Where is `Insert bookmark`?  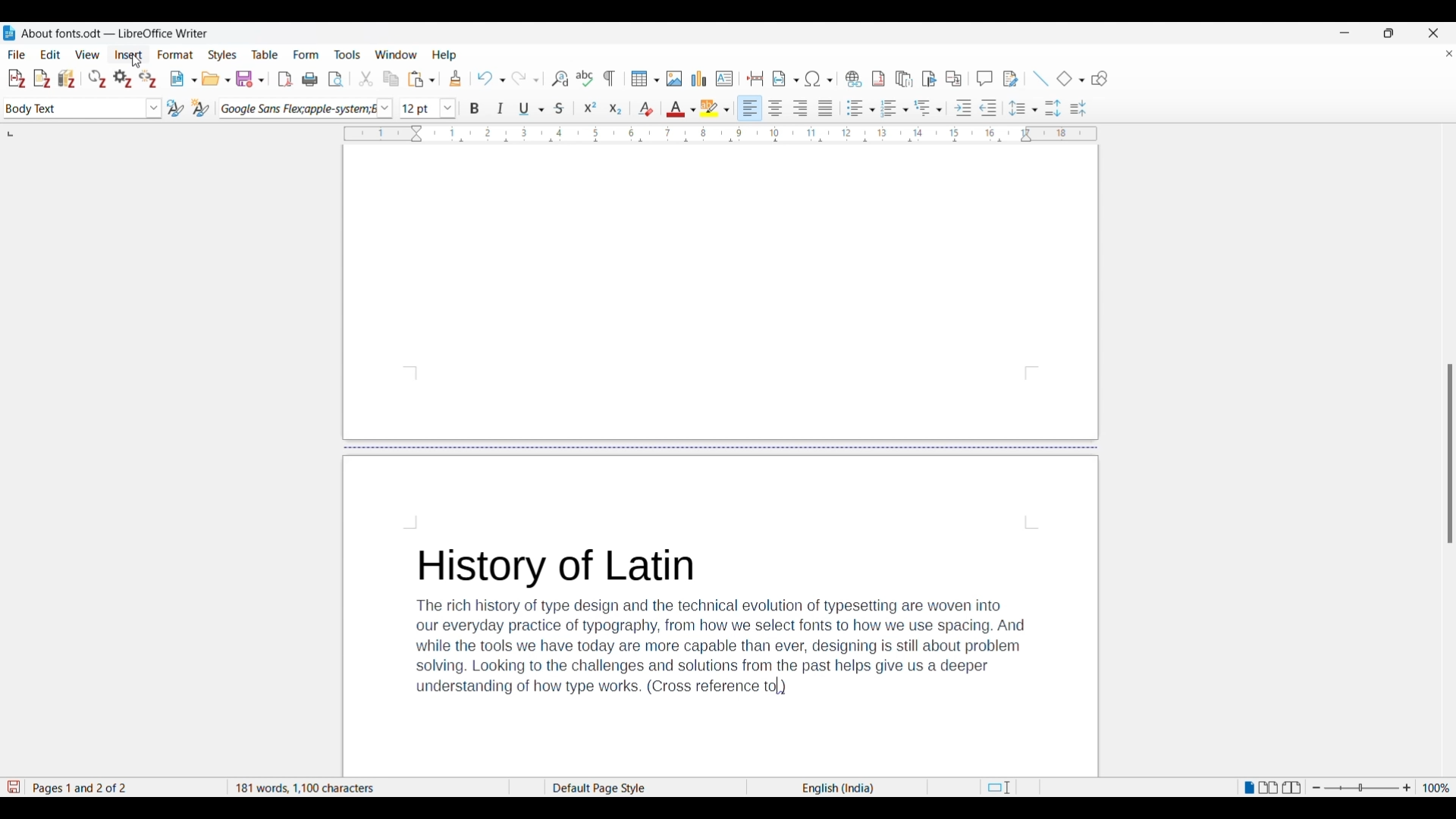 Insert bookmark is located at coordinates (930, 80).